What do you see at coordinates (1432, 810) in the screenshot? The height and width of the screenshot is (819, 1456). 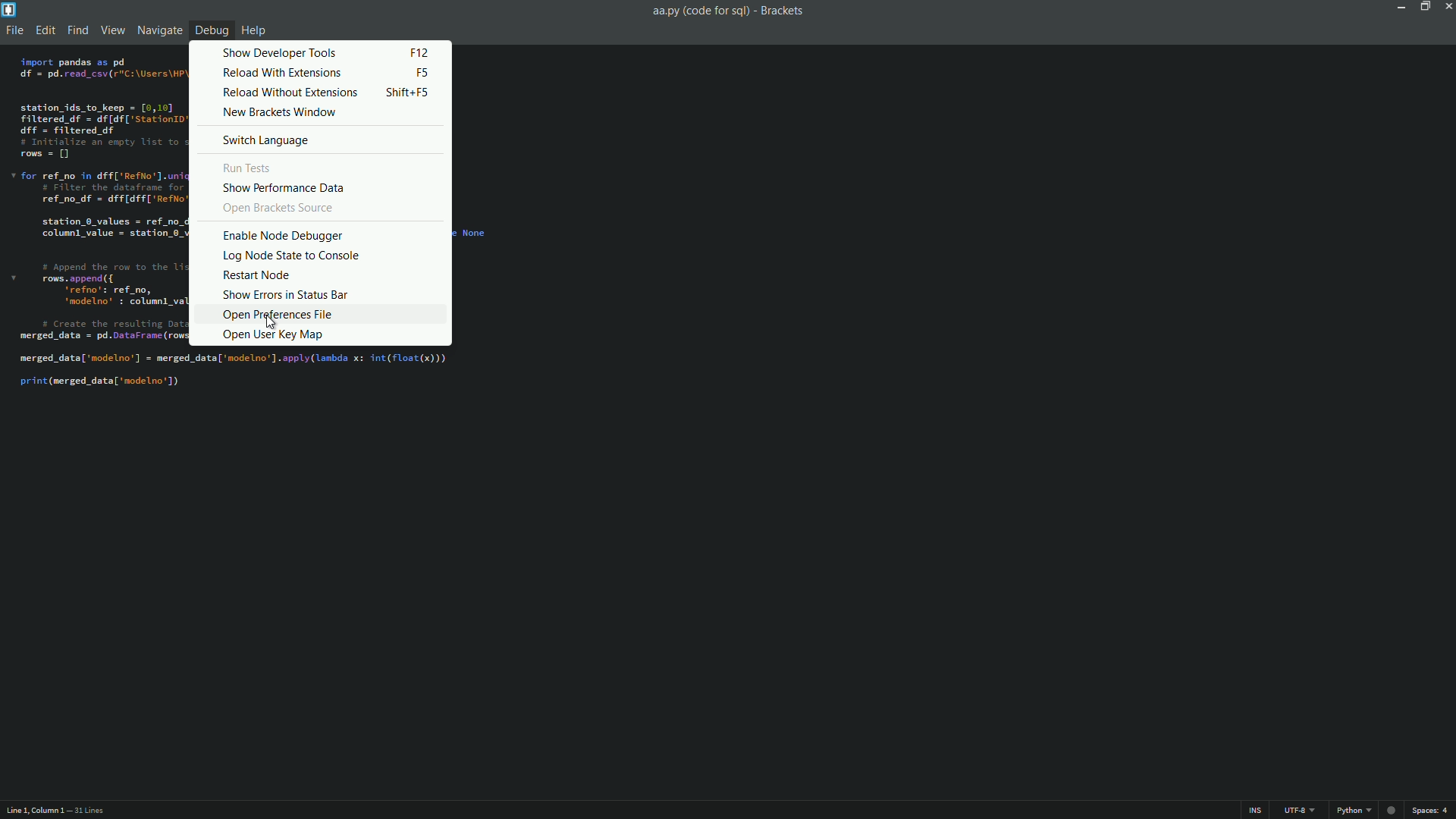 I see `spaces: 4` at bounding box center [1432, 810].